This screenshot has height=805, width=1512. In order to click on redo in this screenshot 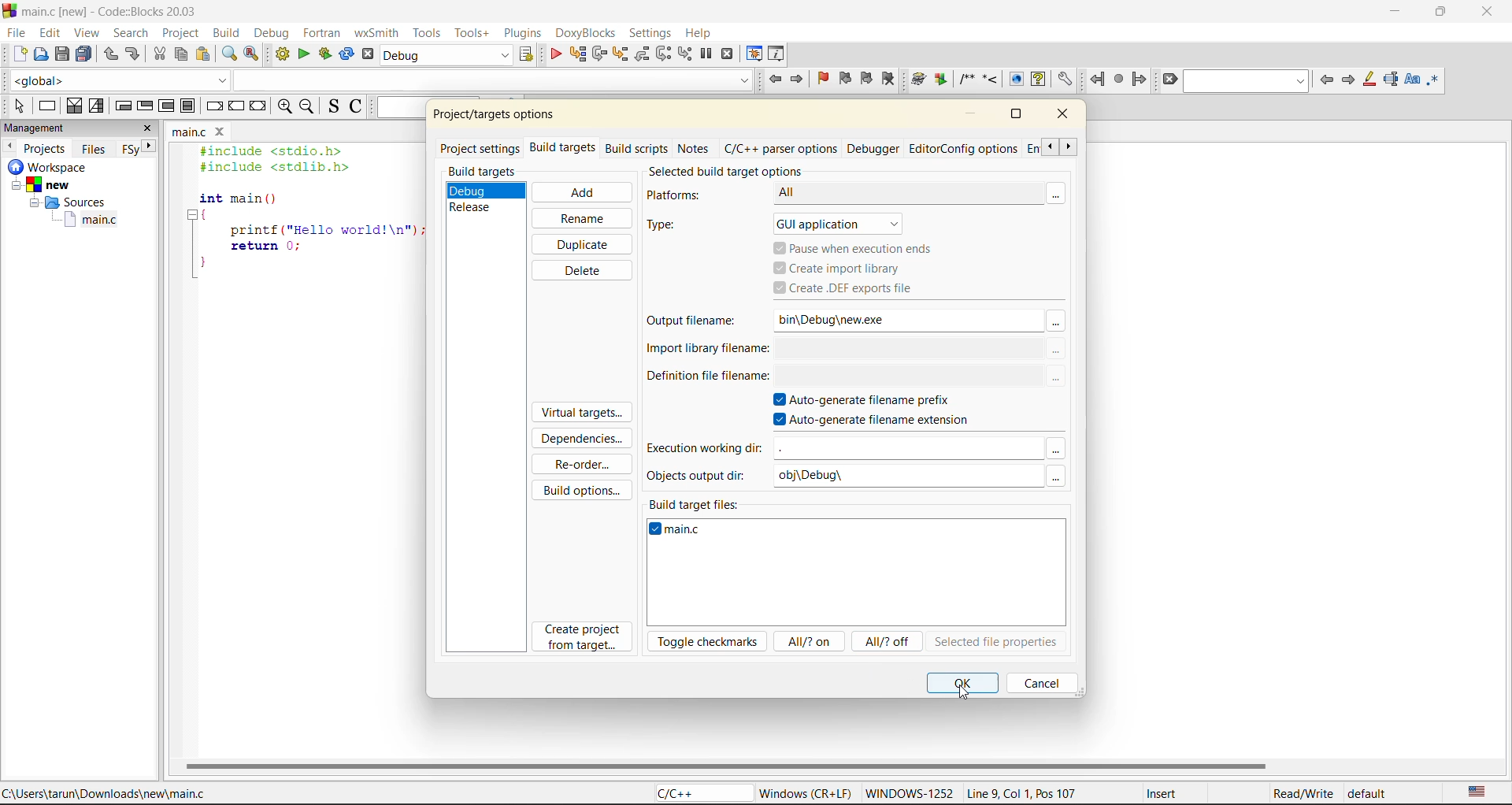, I will do `click(135, 55)`.